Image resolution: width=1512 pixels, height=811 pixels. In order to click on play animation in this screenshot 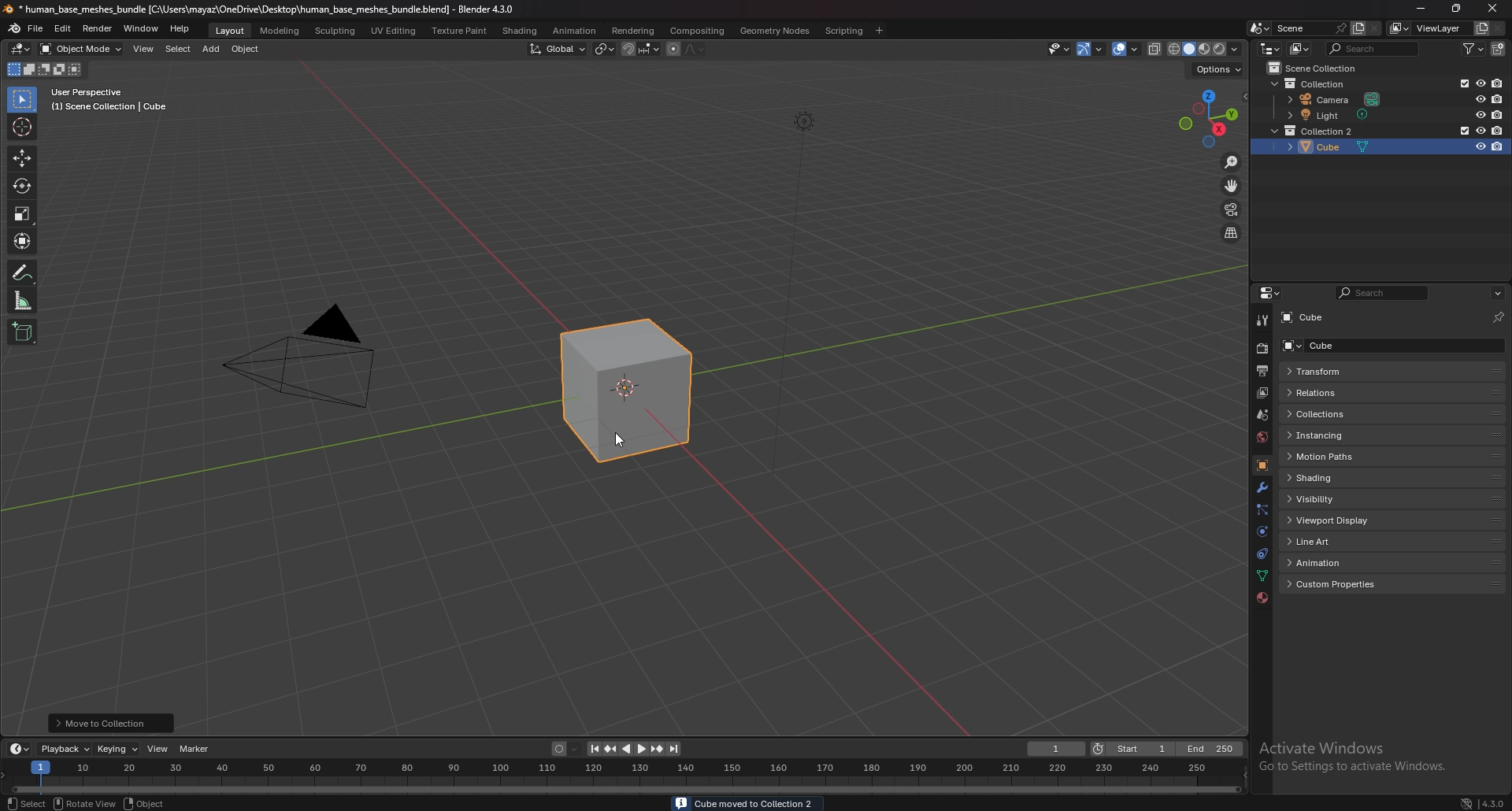, I will do `click(635, 749)`.